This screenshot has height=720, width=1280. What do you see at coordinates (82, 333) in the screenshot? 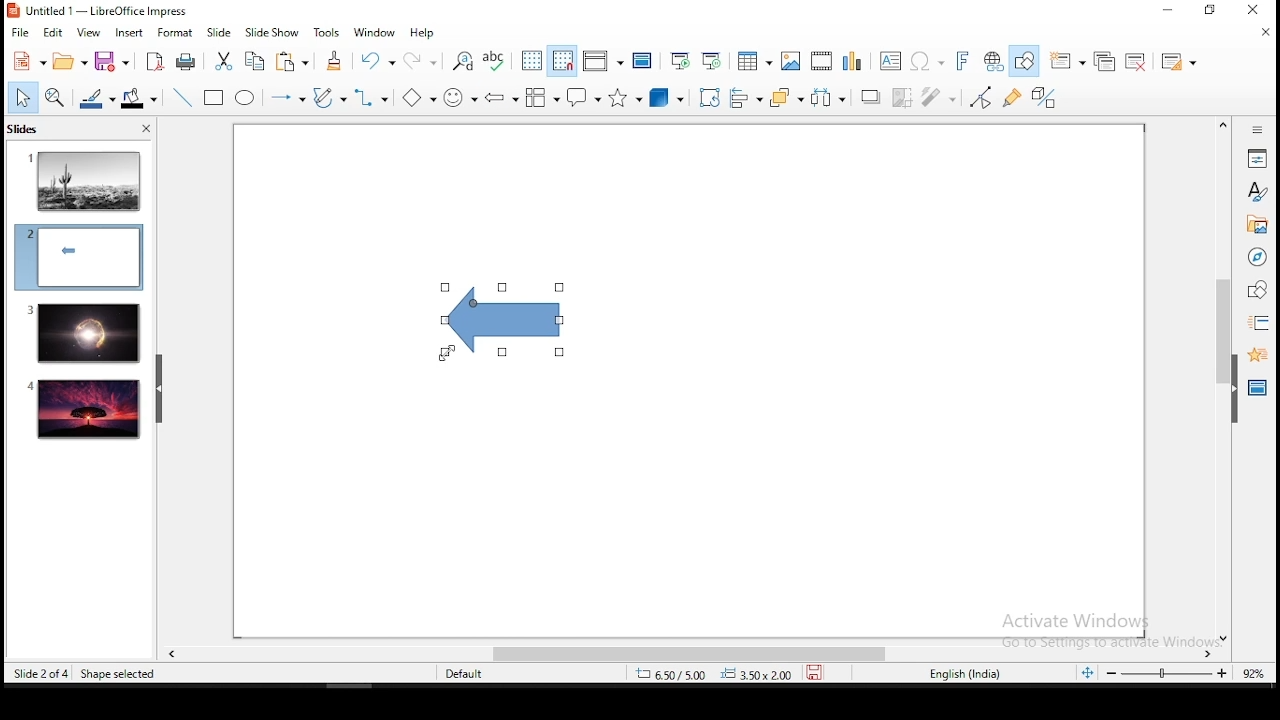
I see `slide` at bounding box center [82, 333].